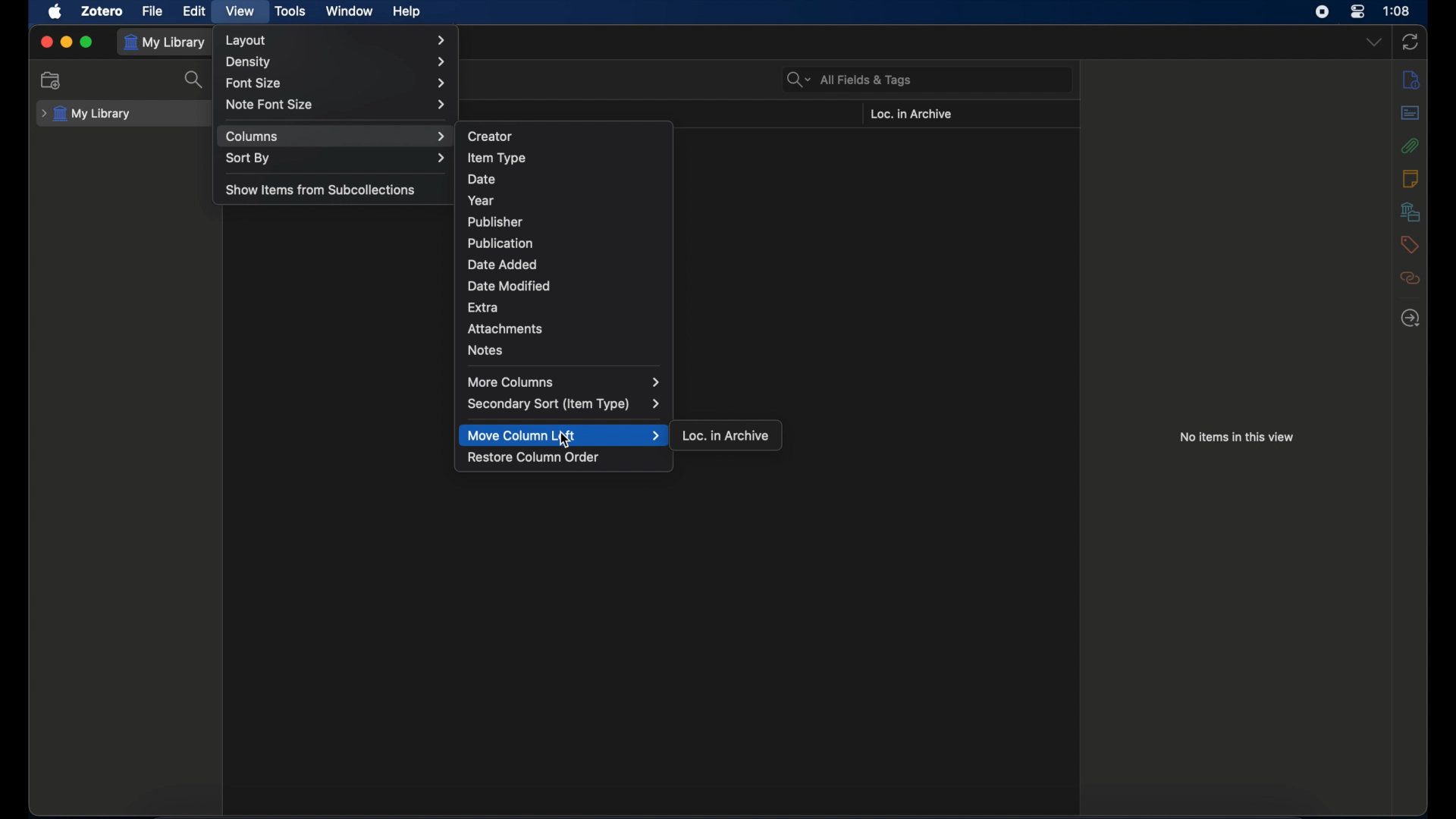  What do you see at coordinates (51, 80) in the screenshot?
I see `new collection` at bounding box center [51, 80].